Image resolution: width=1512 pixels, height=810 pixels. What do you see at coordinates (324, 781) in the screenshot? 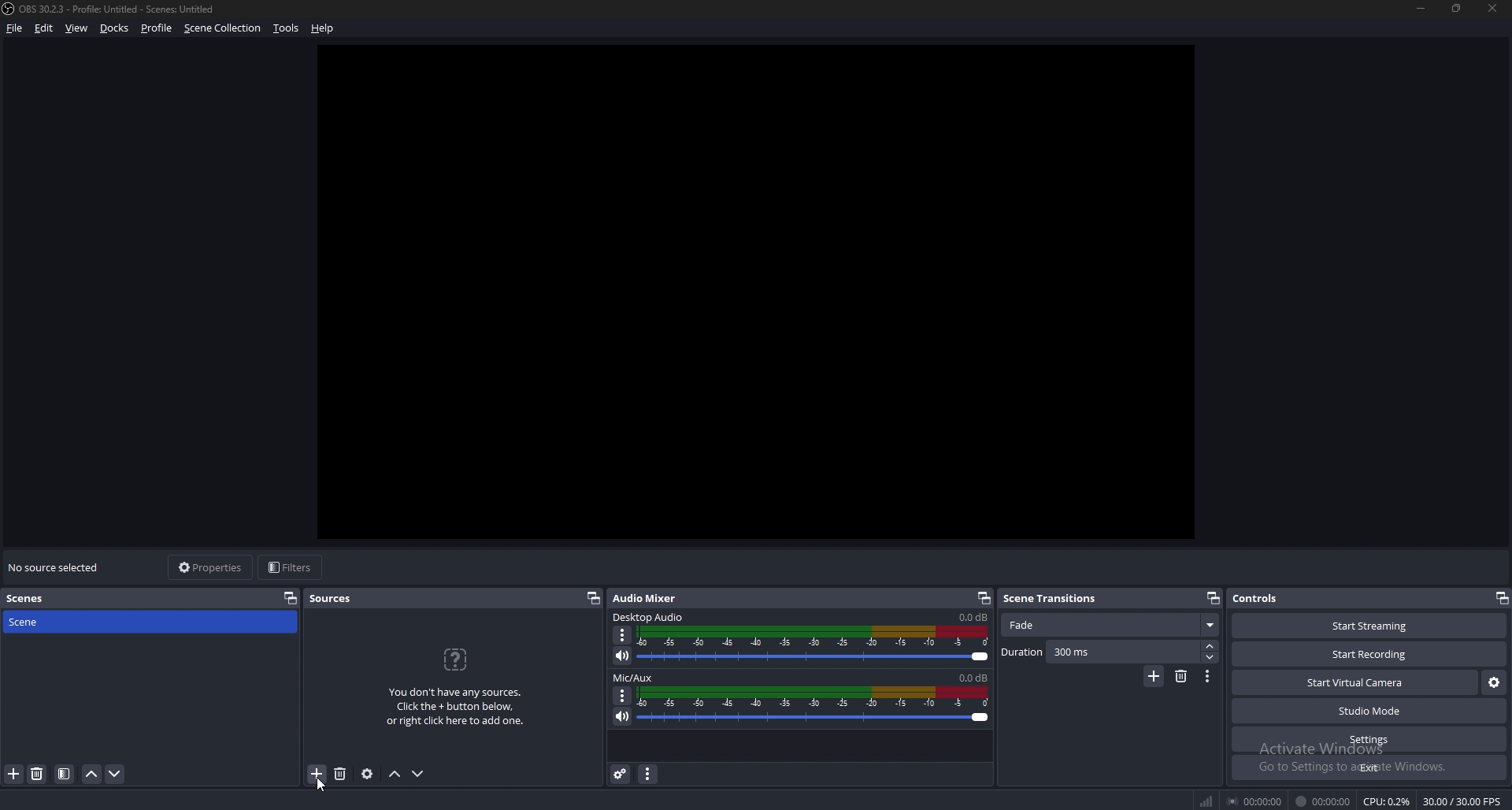
I see `cursor` at bounding box center [324, 781].